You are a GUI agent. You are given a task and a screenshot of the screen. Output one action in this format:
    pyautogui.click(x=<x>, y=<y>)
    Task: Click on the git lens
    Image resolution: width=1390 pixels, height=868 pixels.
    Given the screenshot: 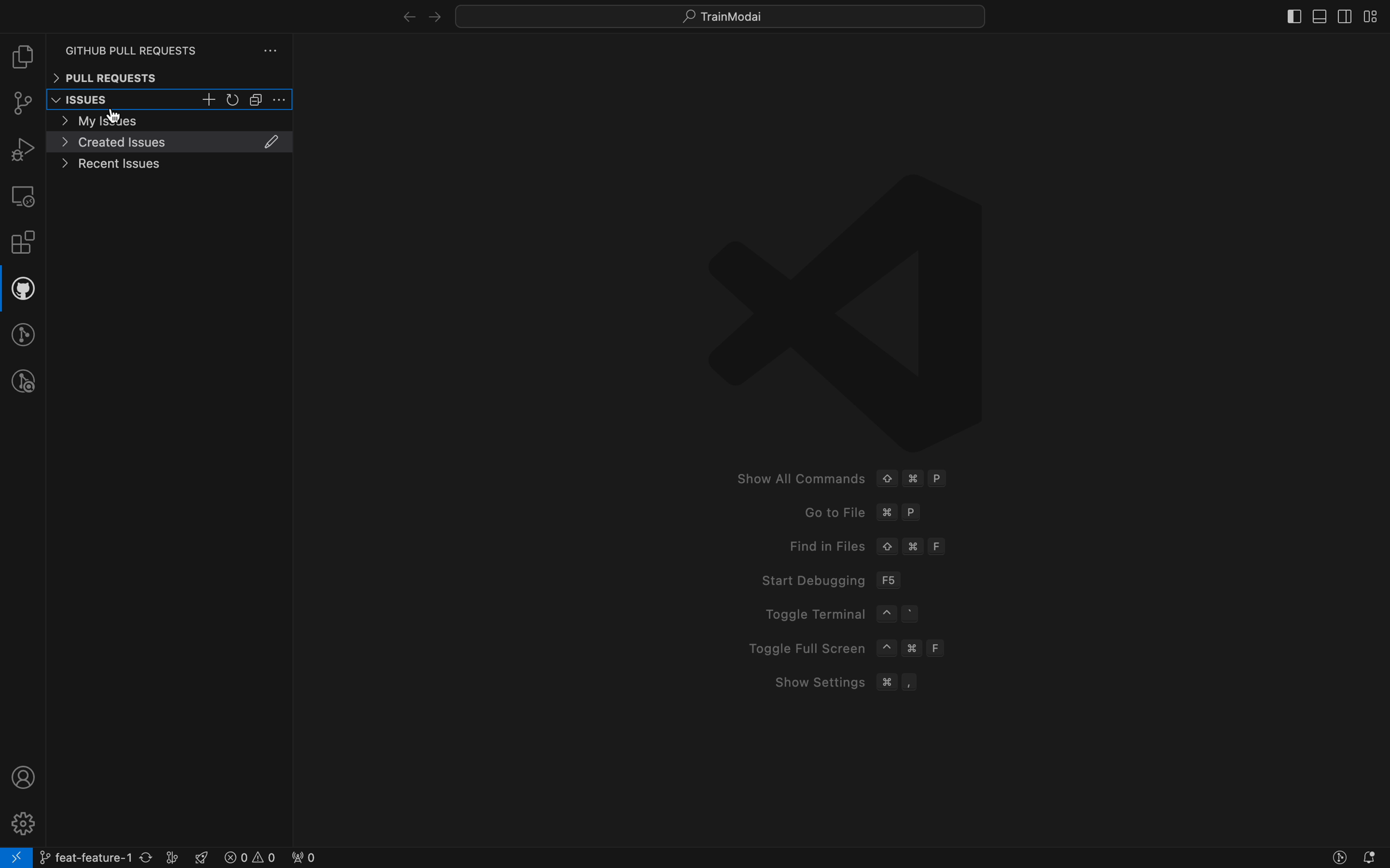 What is the action you would take?
    pyautogui.click(x=25, y=334)
    